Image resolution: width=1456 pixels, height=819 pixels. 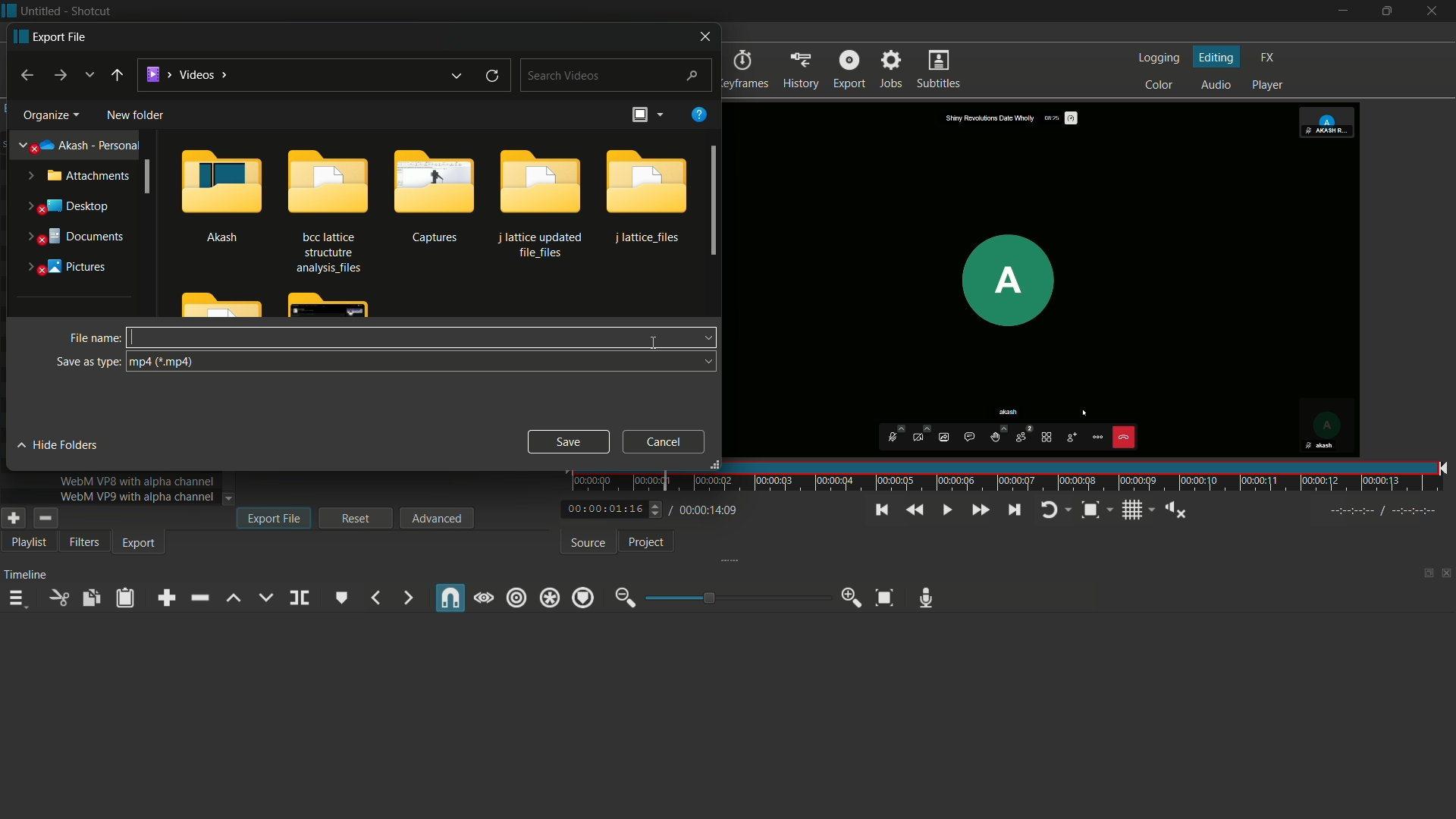 I want to click on desktop, so click(x=71, y=206).